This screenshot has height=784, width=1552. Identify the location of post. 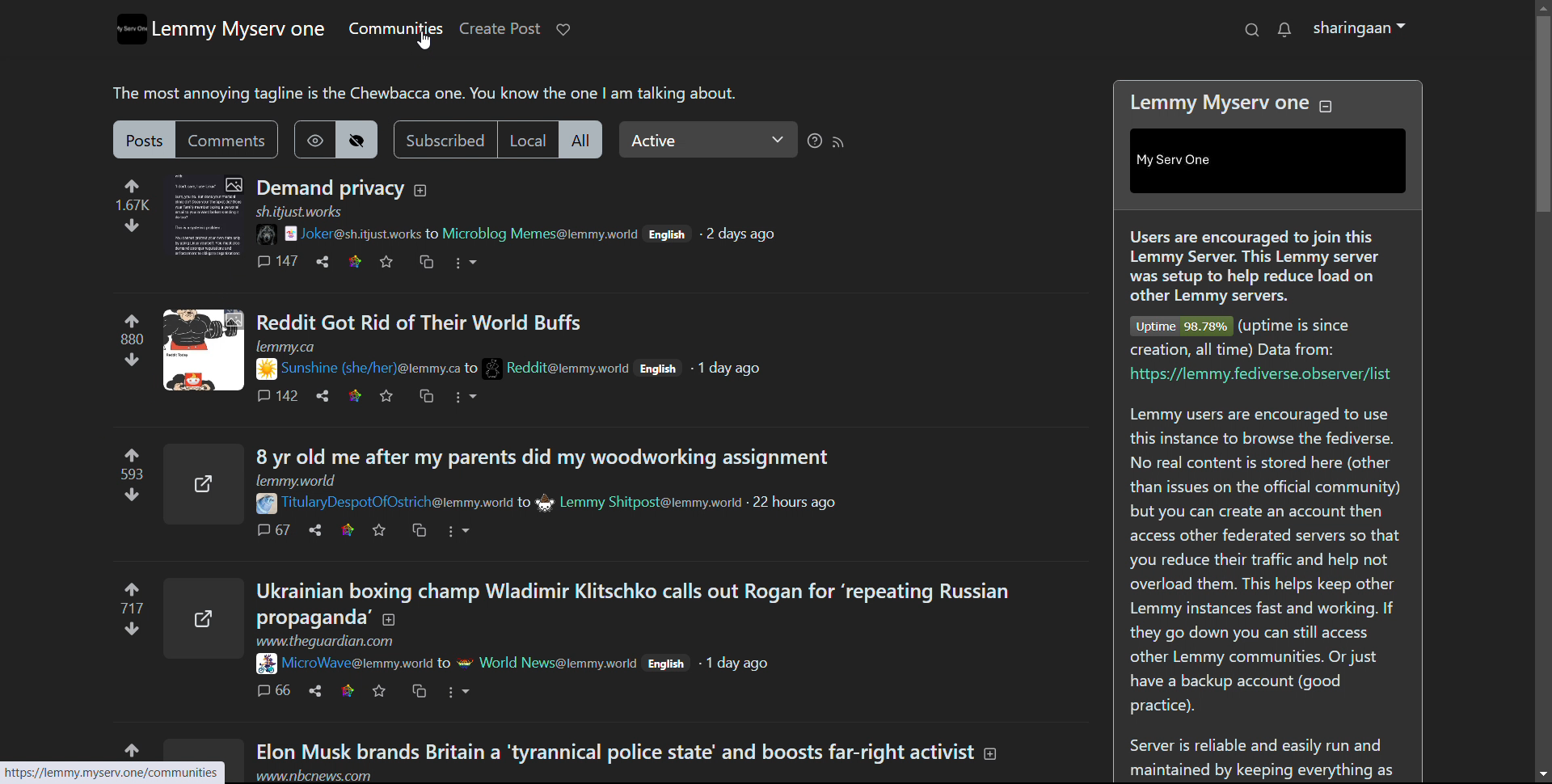
(145, 139).